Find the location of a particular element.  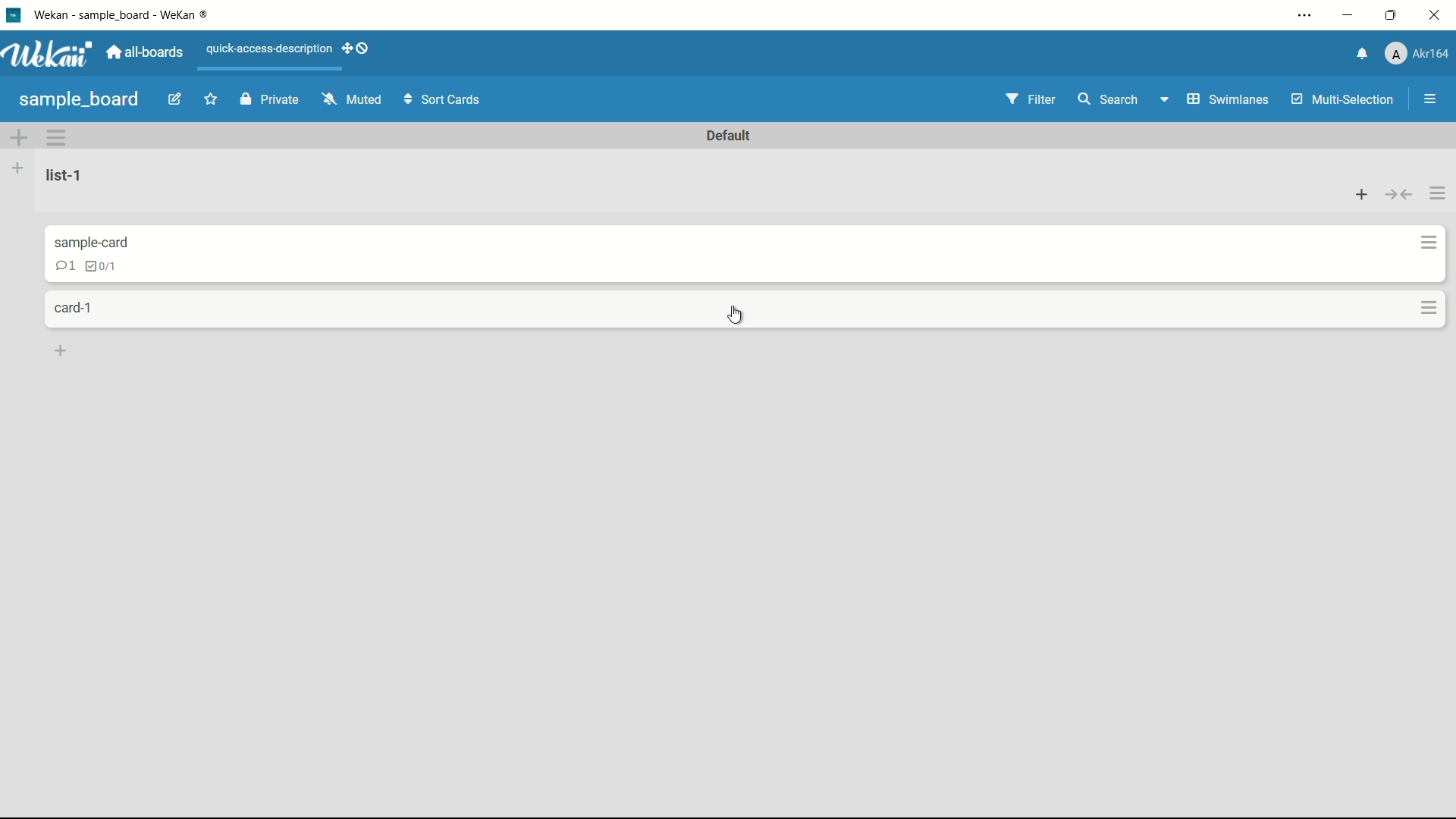

all-boards is located at coordinates (145, 53).